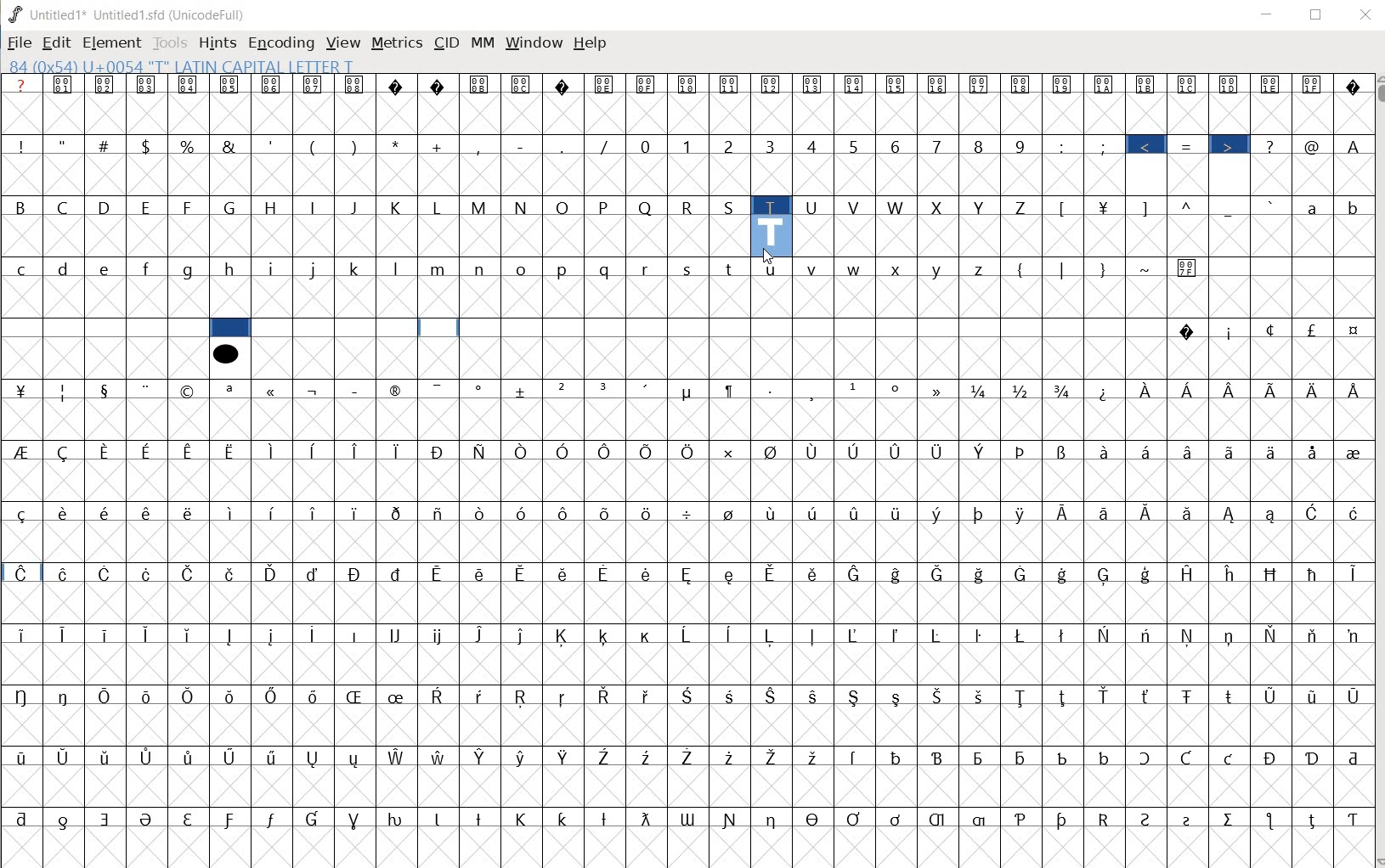 This screenshot has height=868, width=1385. I want to click on Symbol, so click(1351, 86).